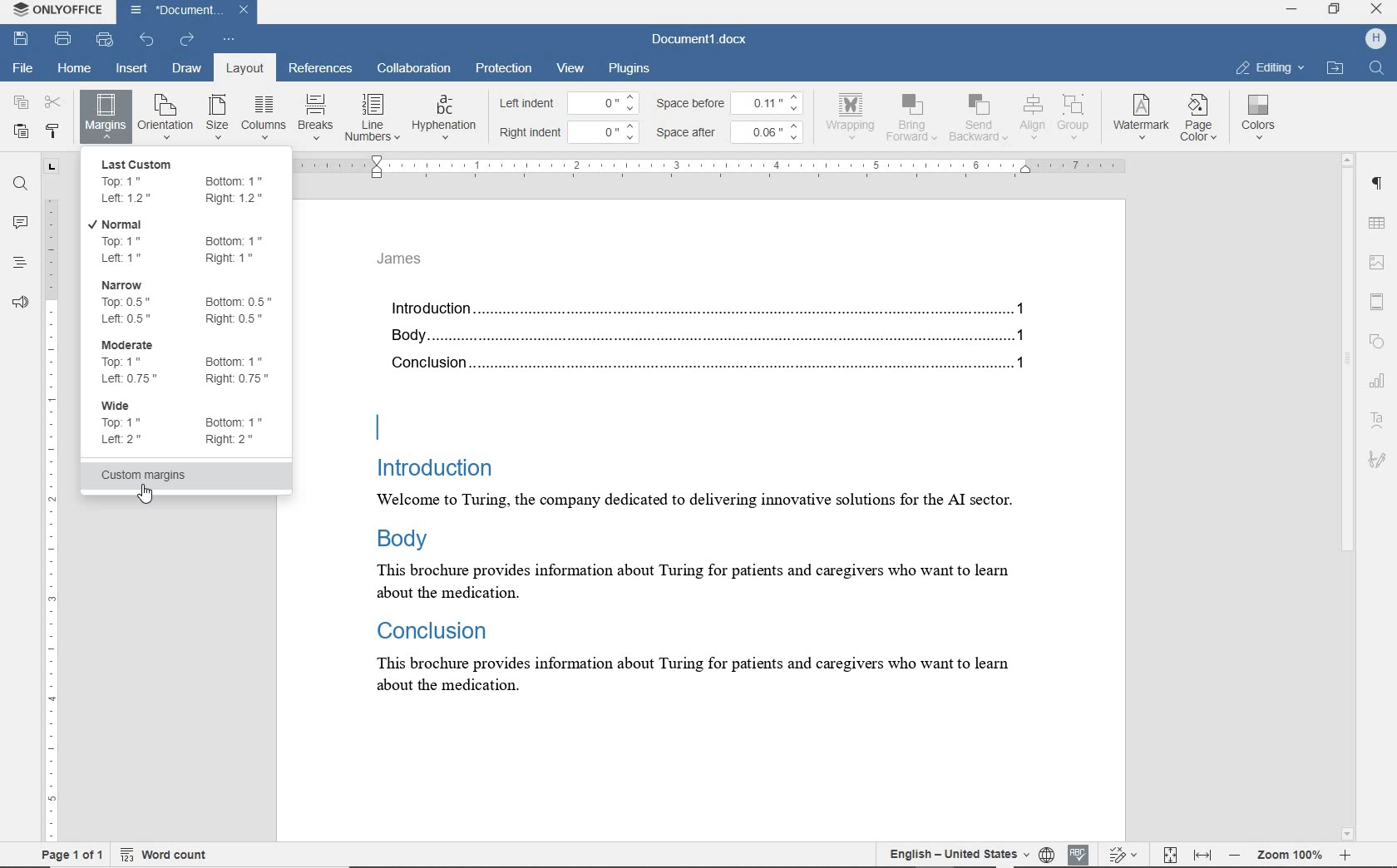  What do you see at coordinates (1202, 120) in the screenshot?
I see `page color` at bounding box center [1202, 120].